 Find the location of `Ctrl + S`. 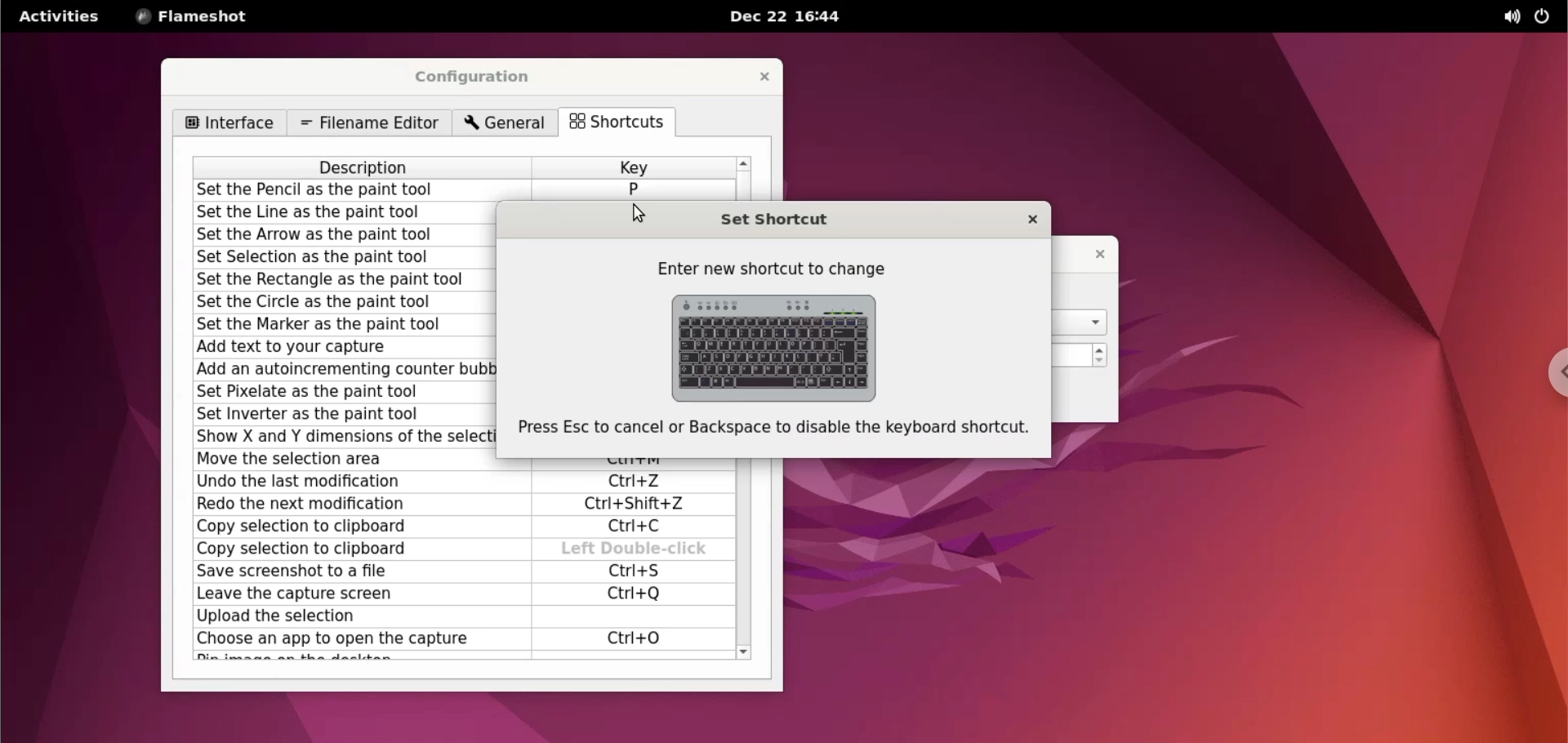

Ctrl + S is located at coordinates (631, 572).